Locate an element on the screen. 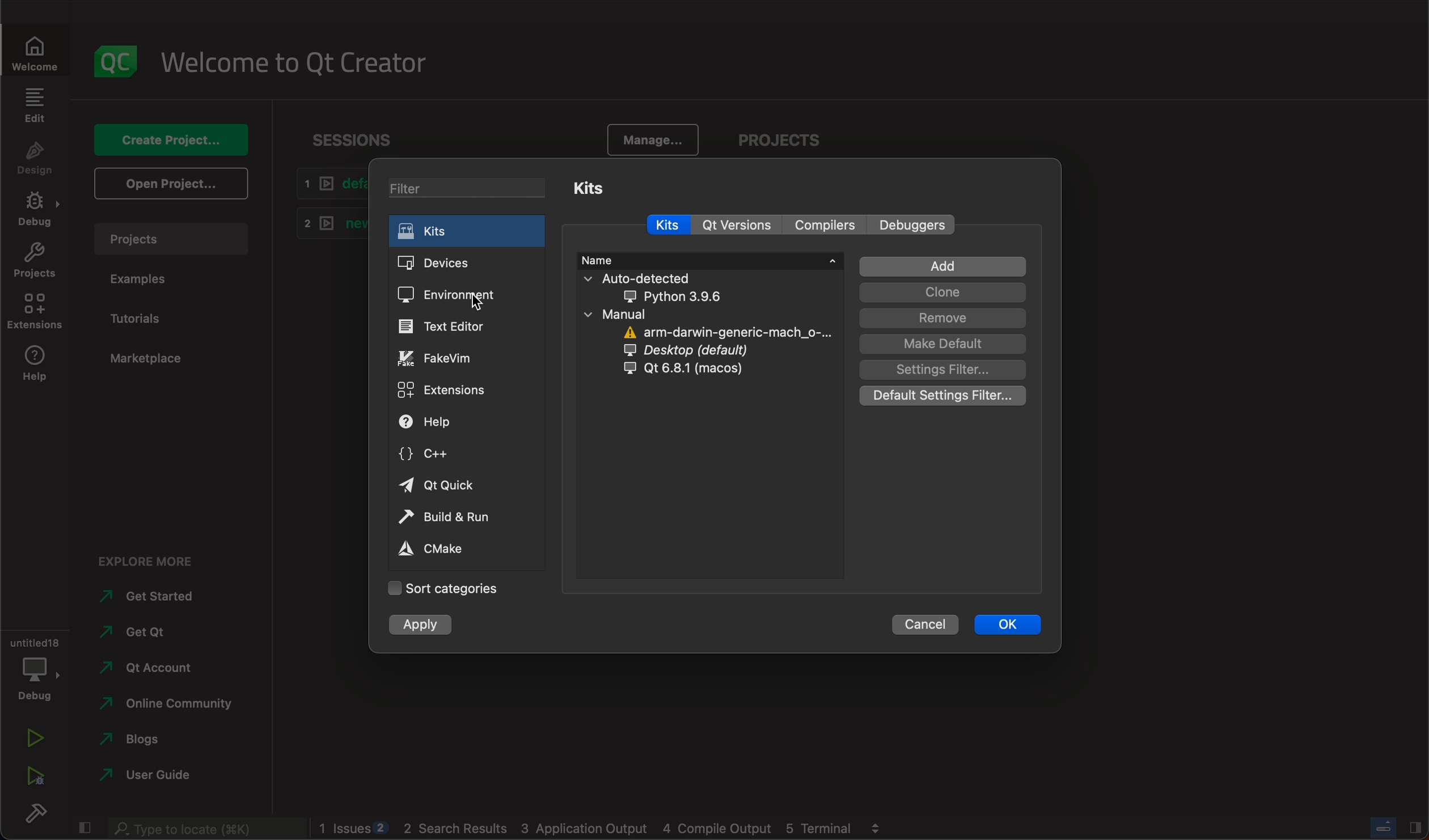 The width and height of the screenshot is (1429, 840). name is located at coordinates (711, 258).